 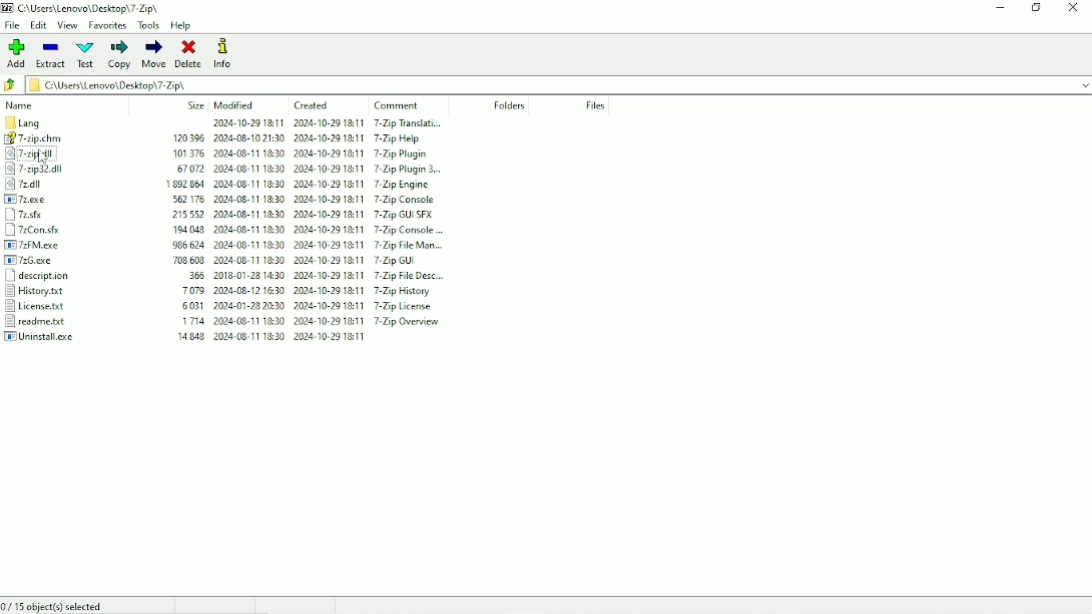 What do you see at coordinates (196, 105) in the screenshot?
I see `Size` at bounding box center [196, 105].